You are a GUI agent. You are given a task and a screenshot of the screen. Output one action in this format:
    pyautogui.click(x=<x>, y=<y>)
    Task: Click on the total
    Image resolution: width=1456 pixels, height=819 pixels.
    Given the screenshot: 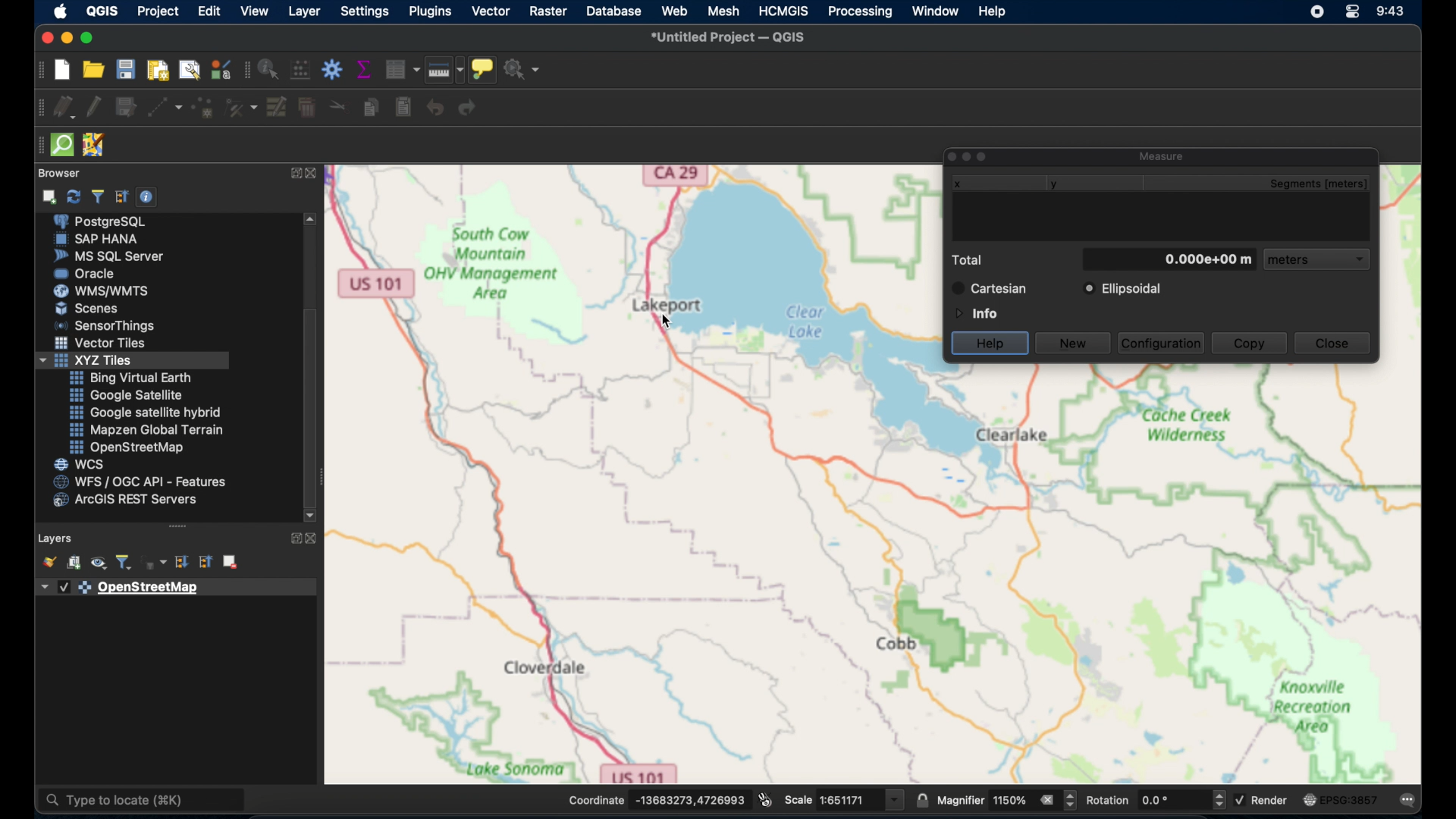 What is the action you would take?
    pyautogui.click(x=971, y=260)
    